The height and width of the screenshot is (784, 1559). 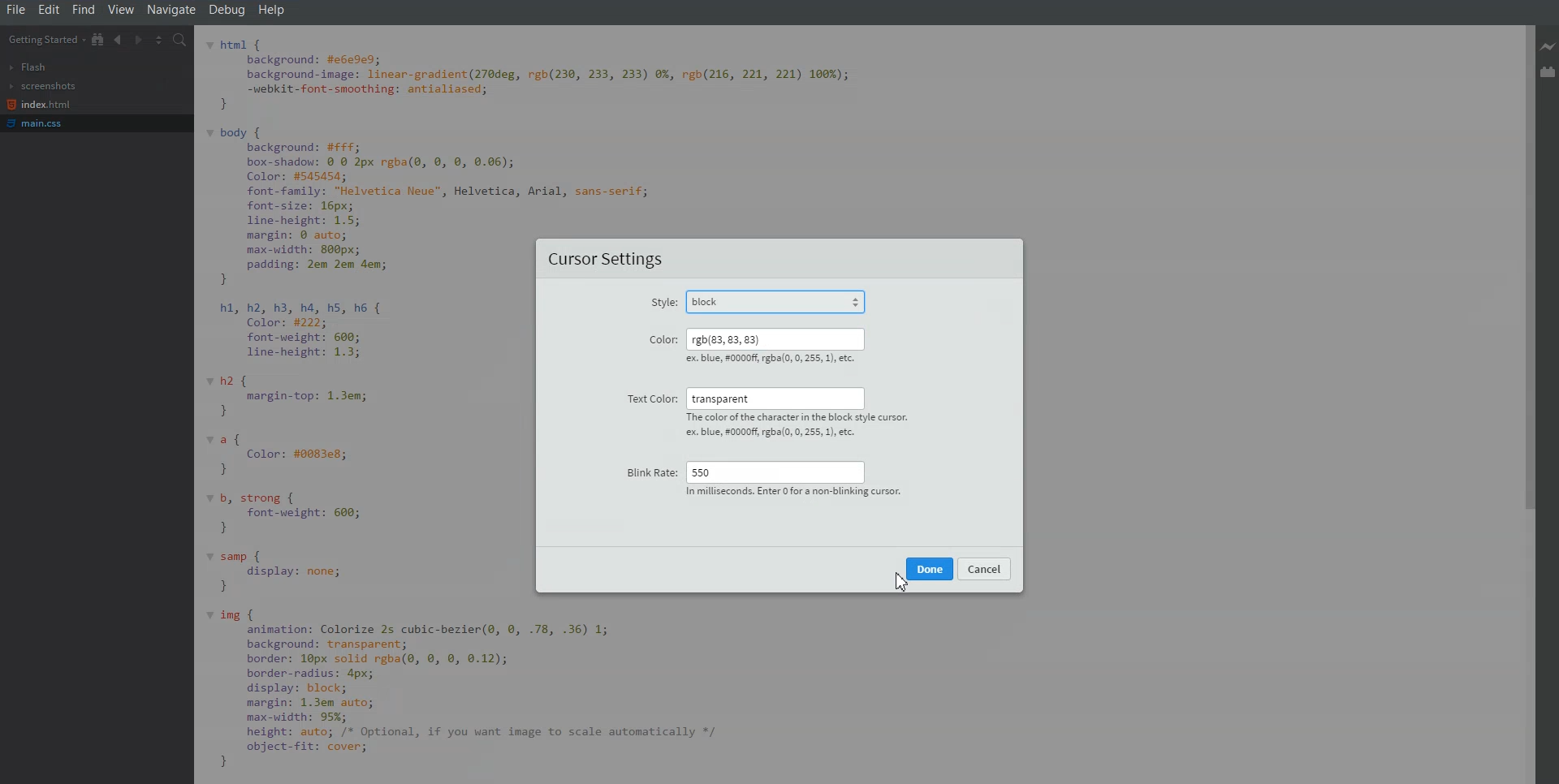 I want to click on Cursor Setting, so click(x=607, y=261).